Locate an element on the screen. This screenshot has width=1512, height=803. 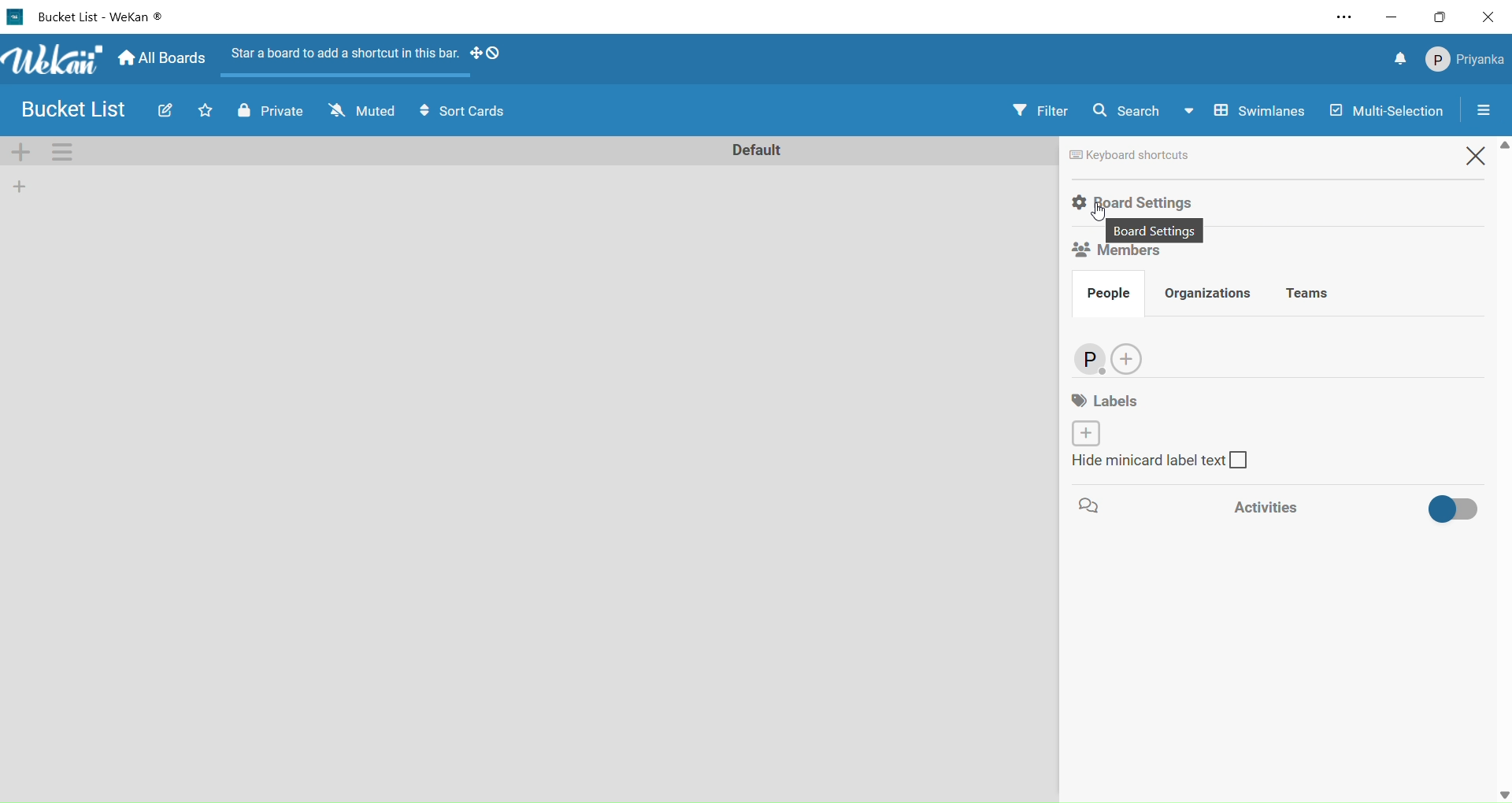
cursor is located at coordinates (1100, 215).